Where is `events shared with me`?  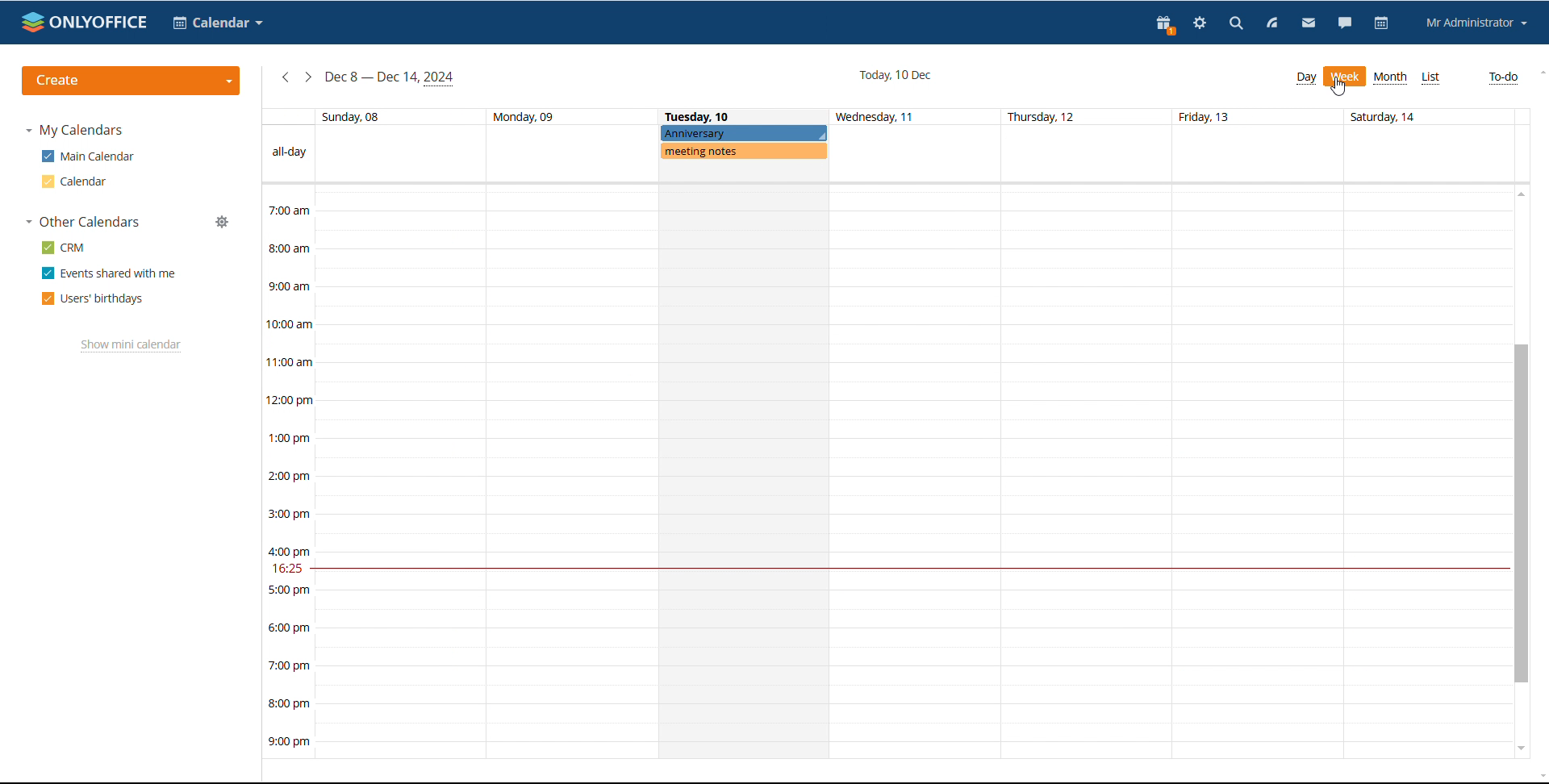 events shared with me is located at coordinates (109, 273).